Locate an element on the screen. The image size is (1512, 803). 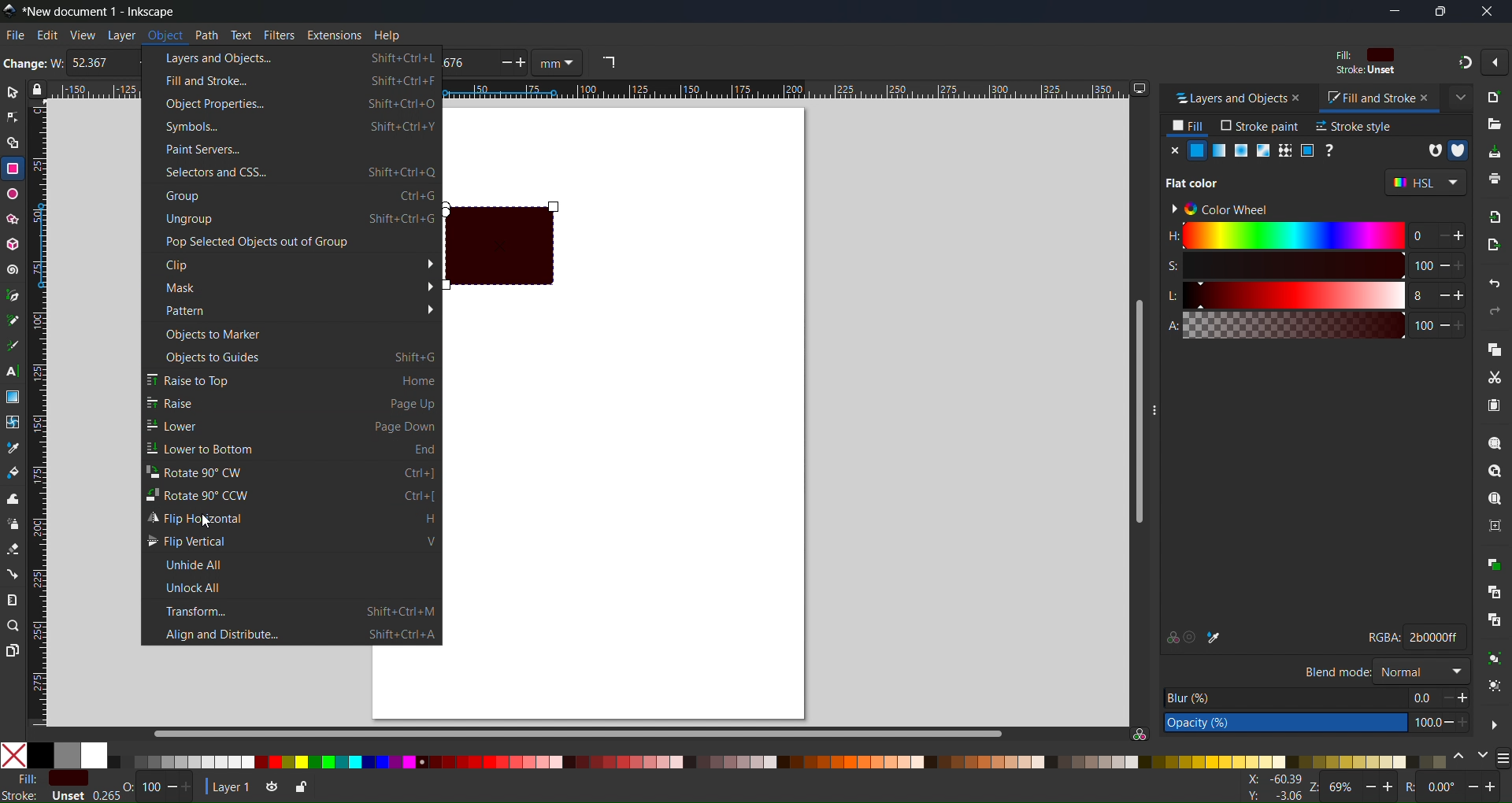
3D box tool is located at coordinates (13, 244).